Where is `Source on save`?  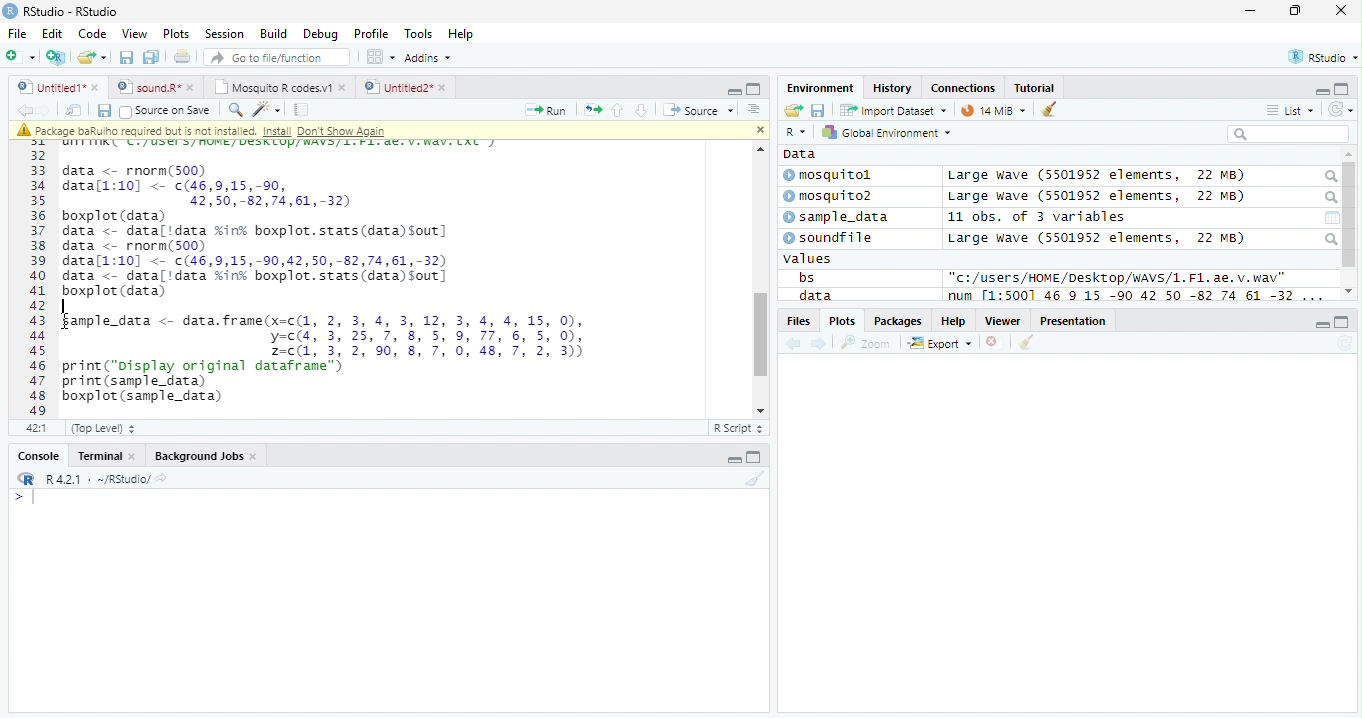
Source on save is located at coordinates (165, 112).